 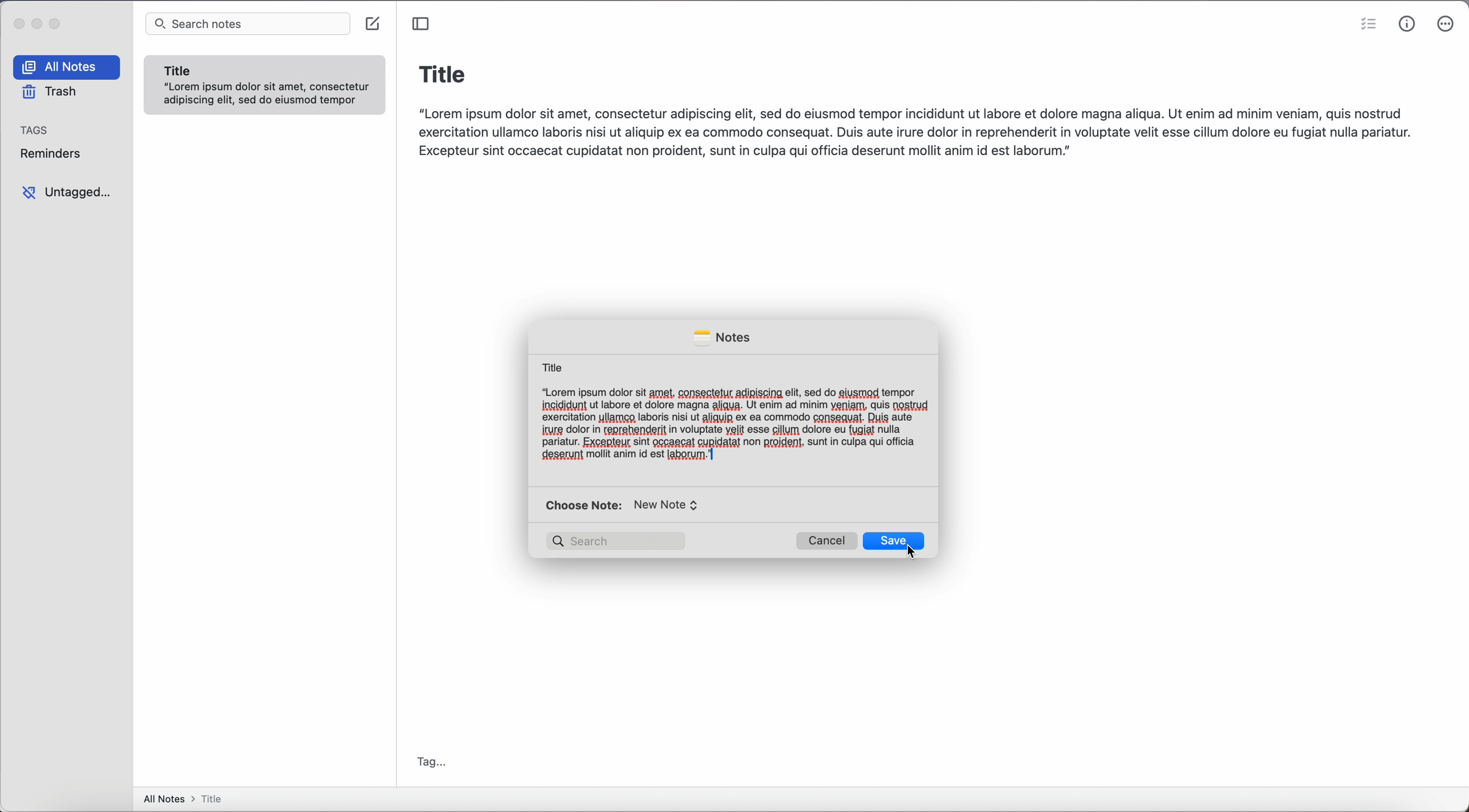 I want to click on tags, so click(x=36, y=129).